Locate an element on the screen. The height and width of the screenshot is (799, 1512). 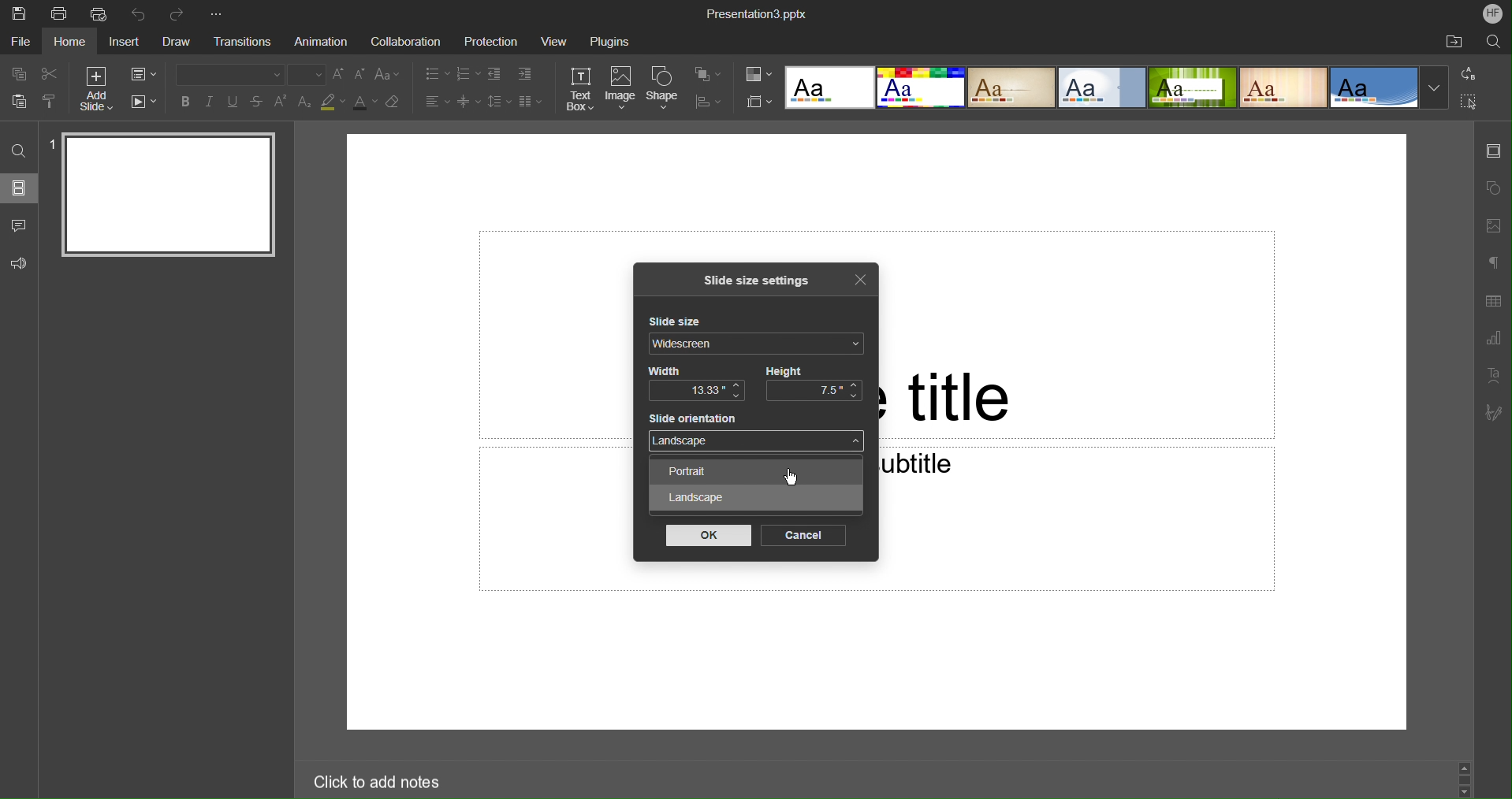
7.5" is located at coordinates (814, 391).